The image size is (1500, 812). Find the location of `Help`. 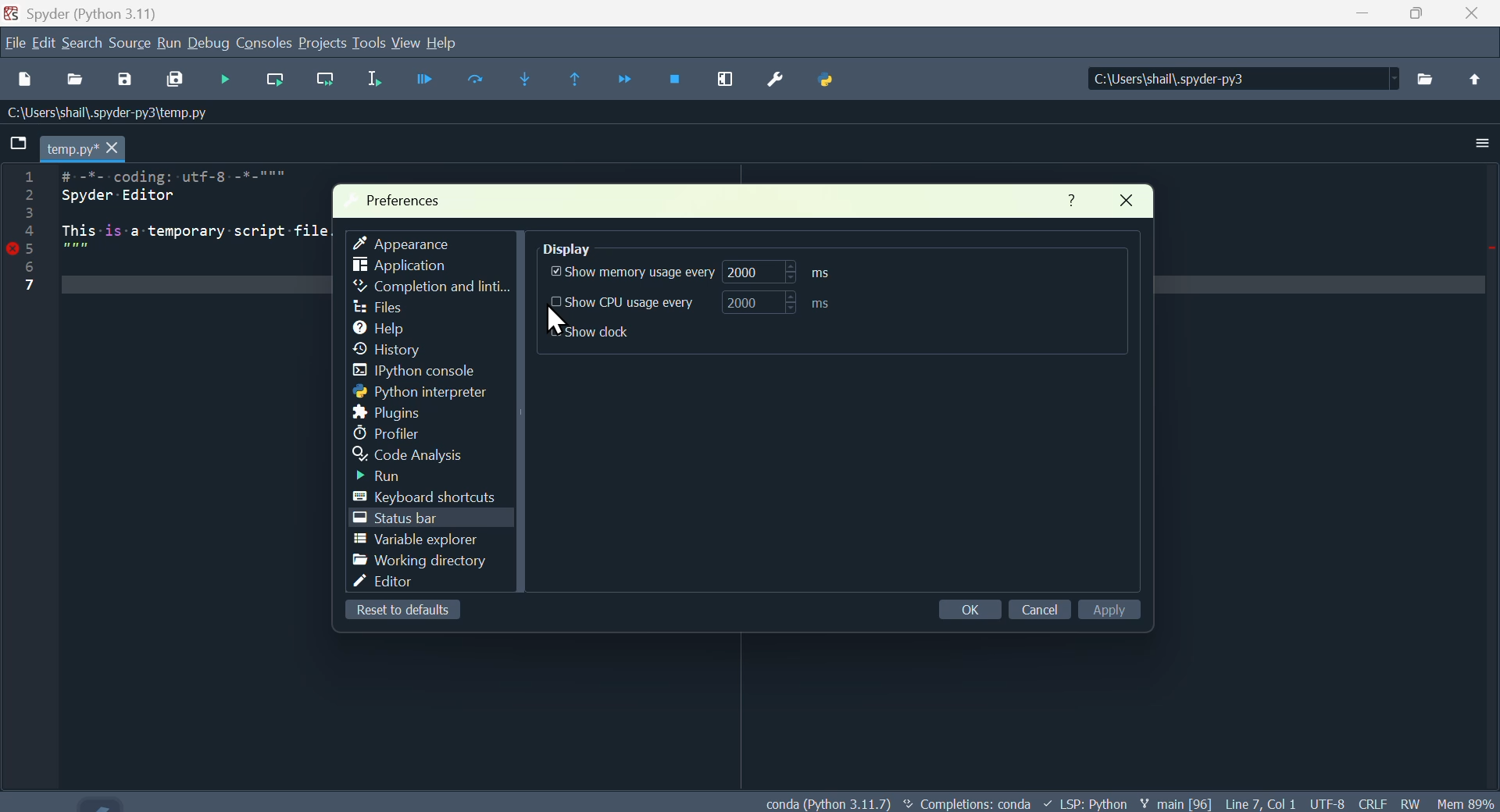

Help is located at coordinates (454, 41).